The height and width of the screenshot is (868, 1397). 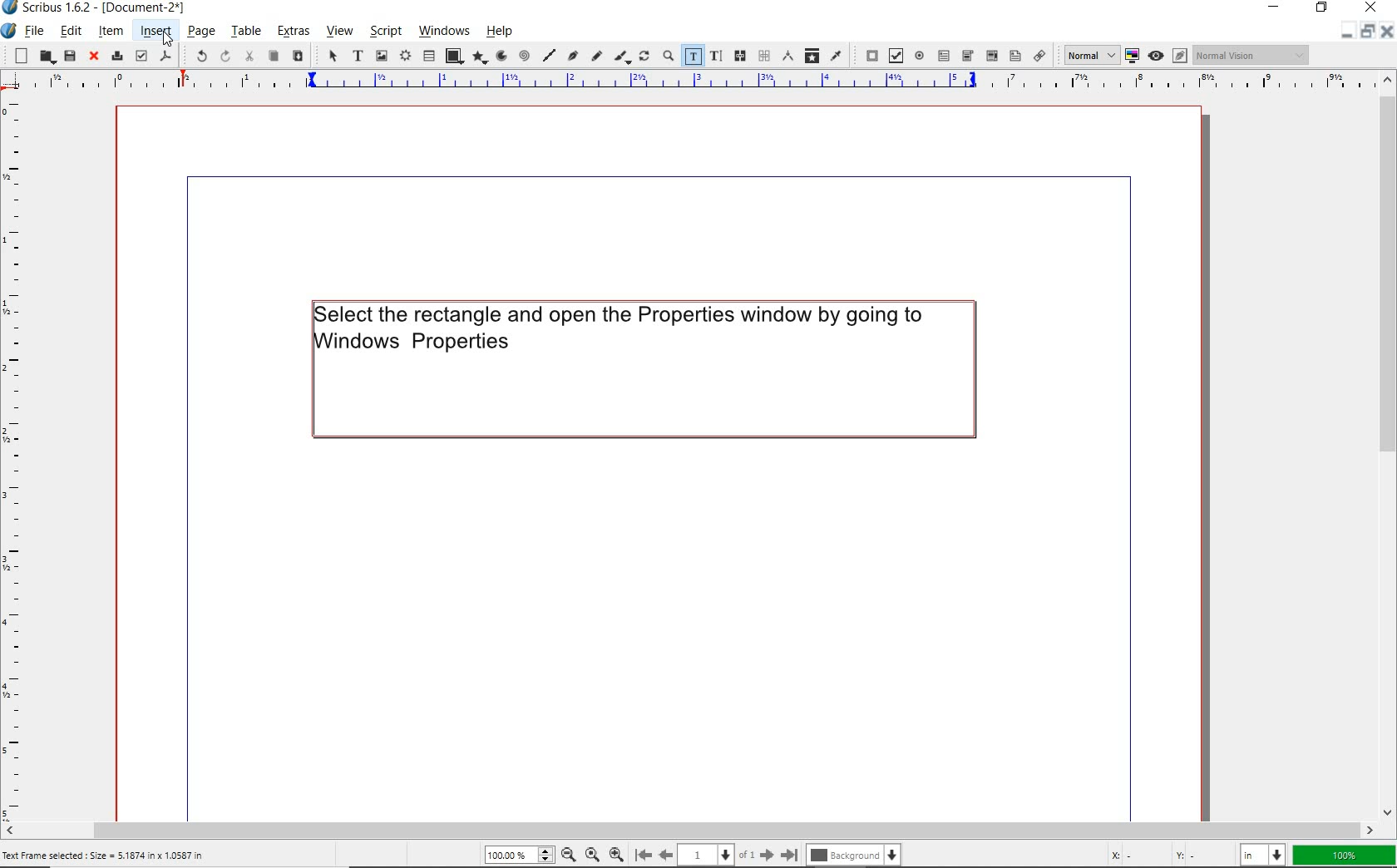 What do you see at coordinates (789, 854) in the screenshot?
I see `go to last [page` at bounding box center [789, 854].